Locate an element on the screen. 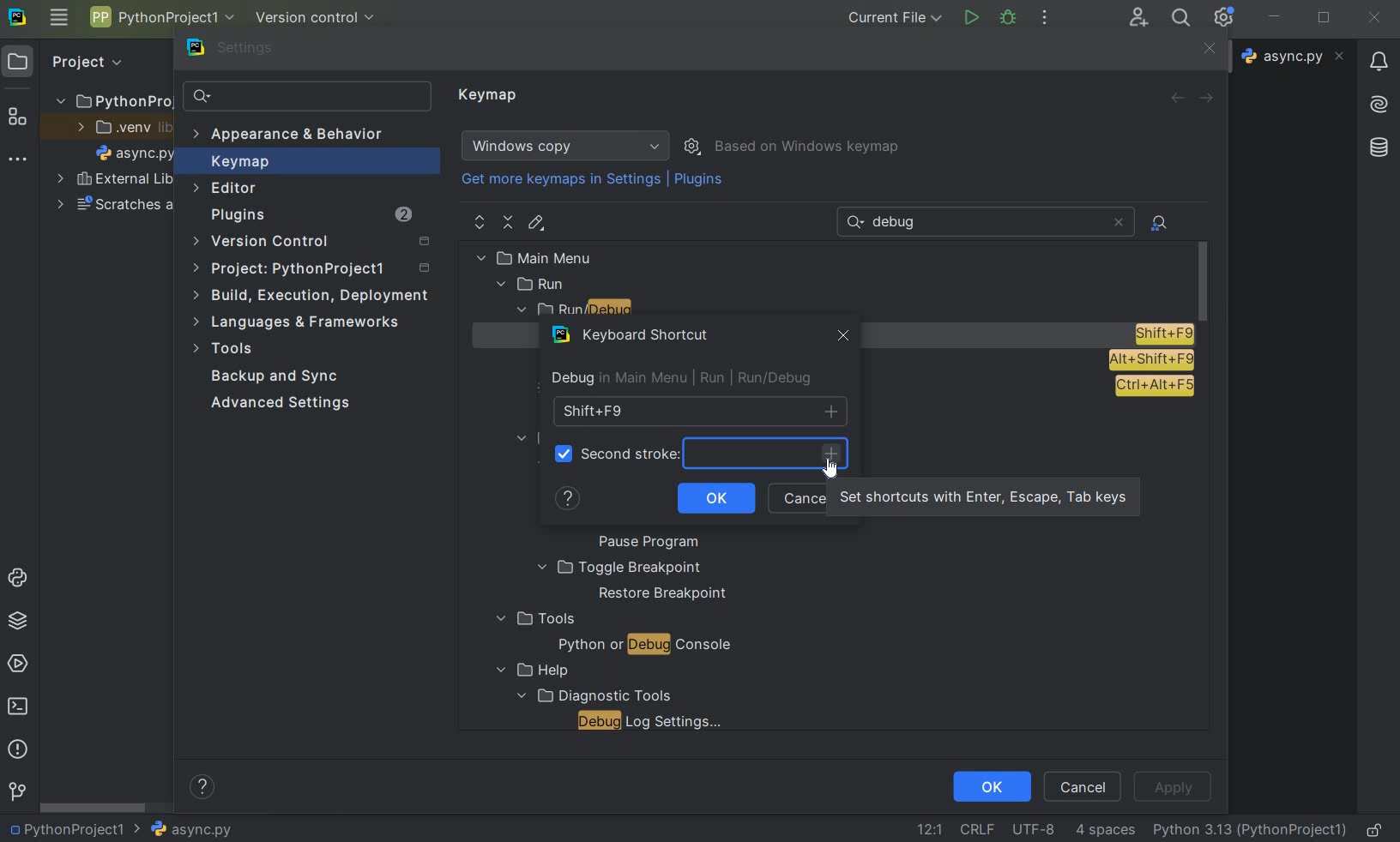  run is located at coordinates (970, 18).